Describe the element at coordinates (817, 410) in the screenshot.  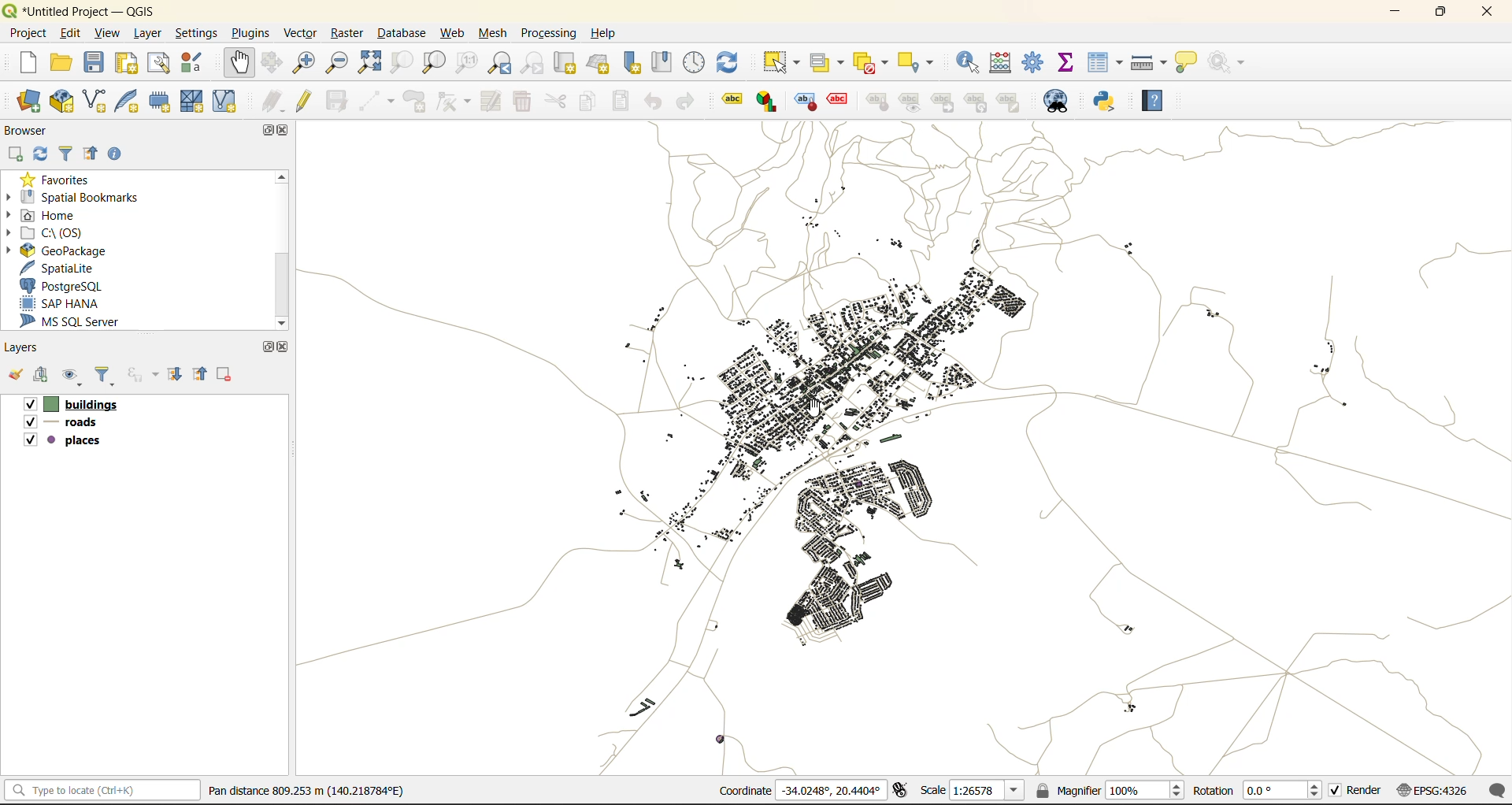
I see `cursor` at that location.